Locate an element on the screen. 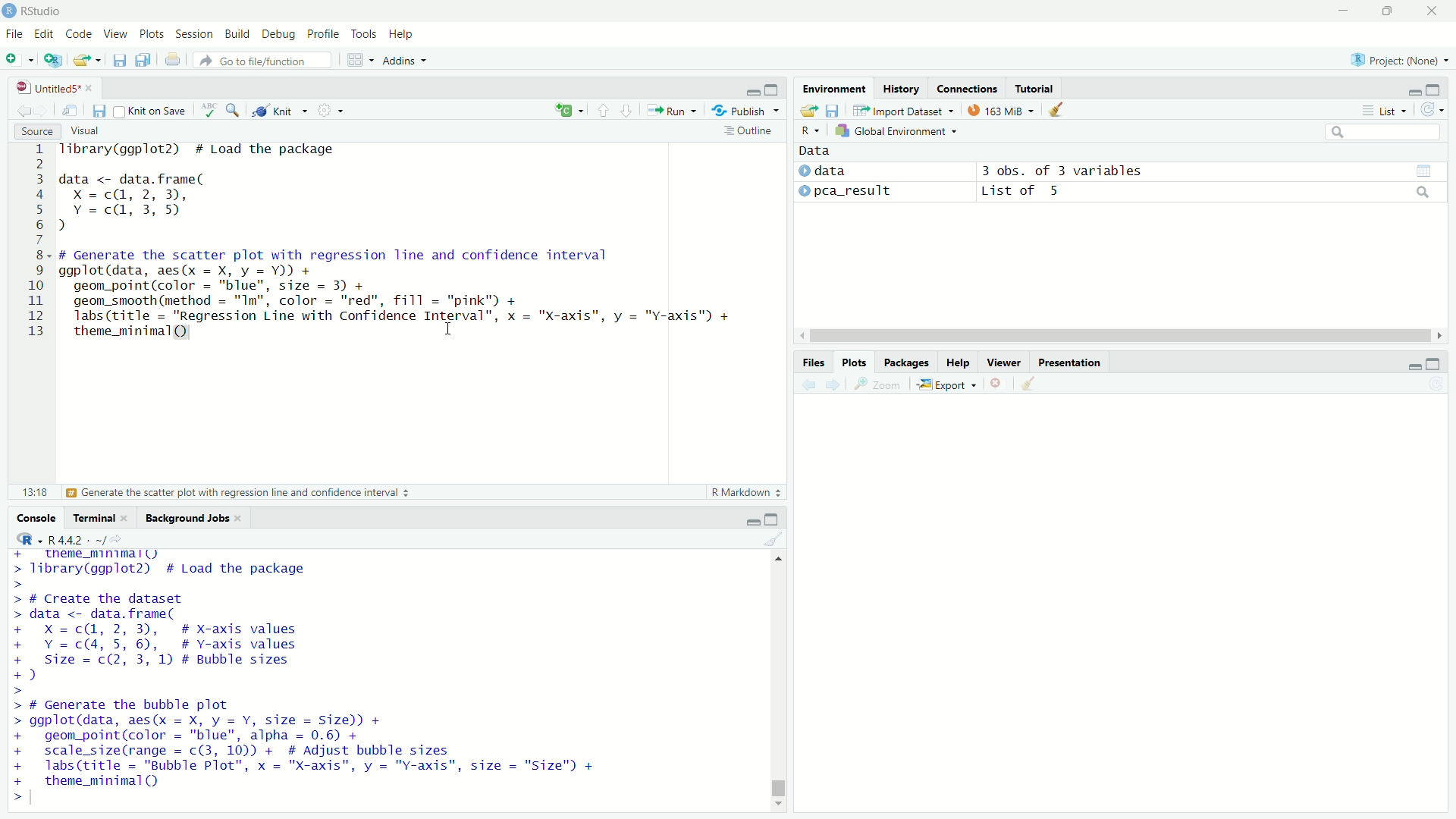 The image size is (1456, 819). Presentation is located at coordinates (1069, 362).